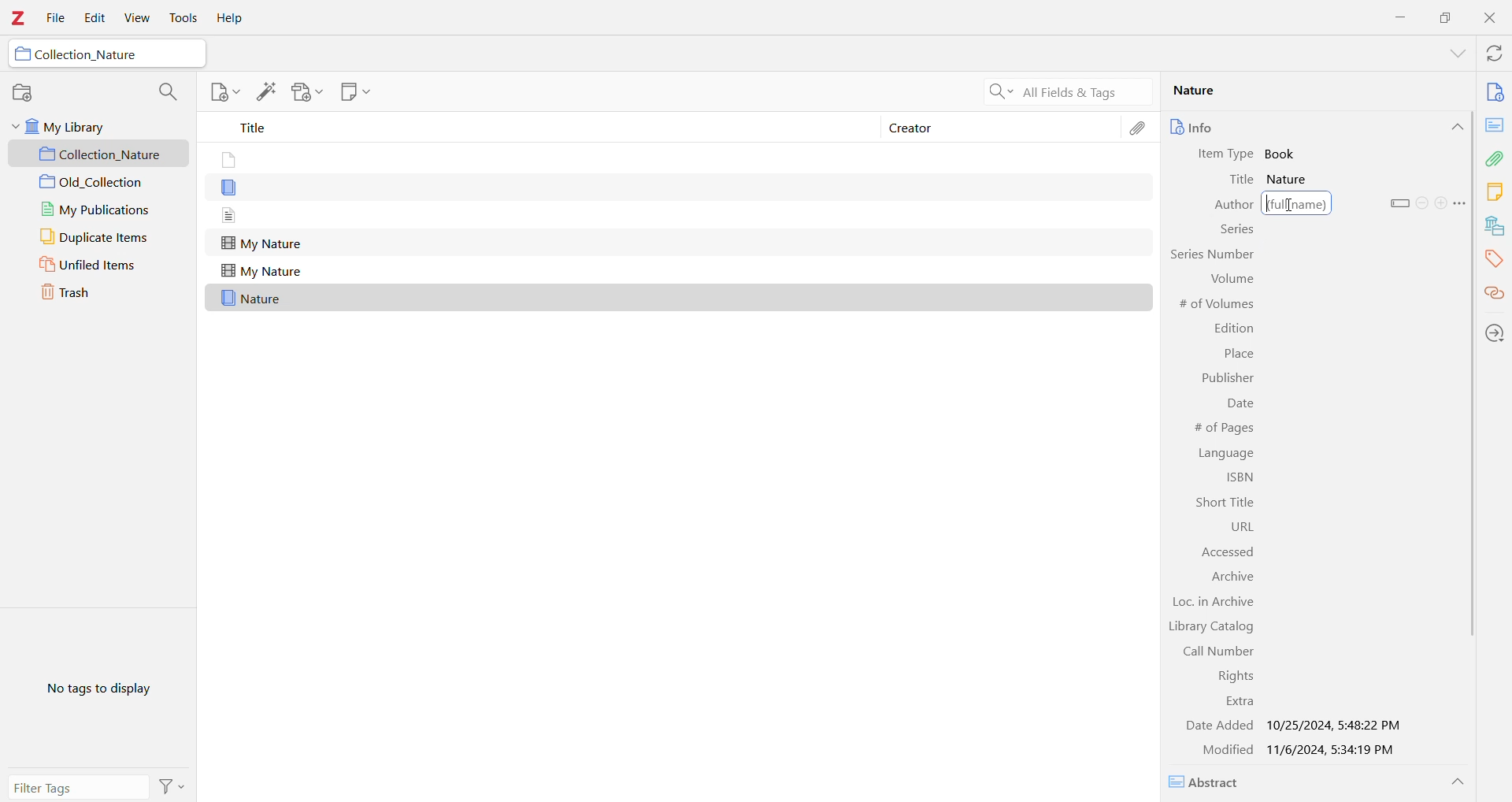 Image resolution: width=1512 pixels, height=802 pixels. What do you see at coordinates (95, 237) in the screenshot?
I see `Duplicate Items` at bounding box center [95, 237].